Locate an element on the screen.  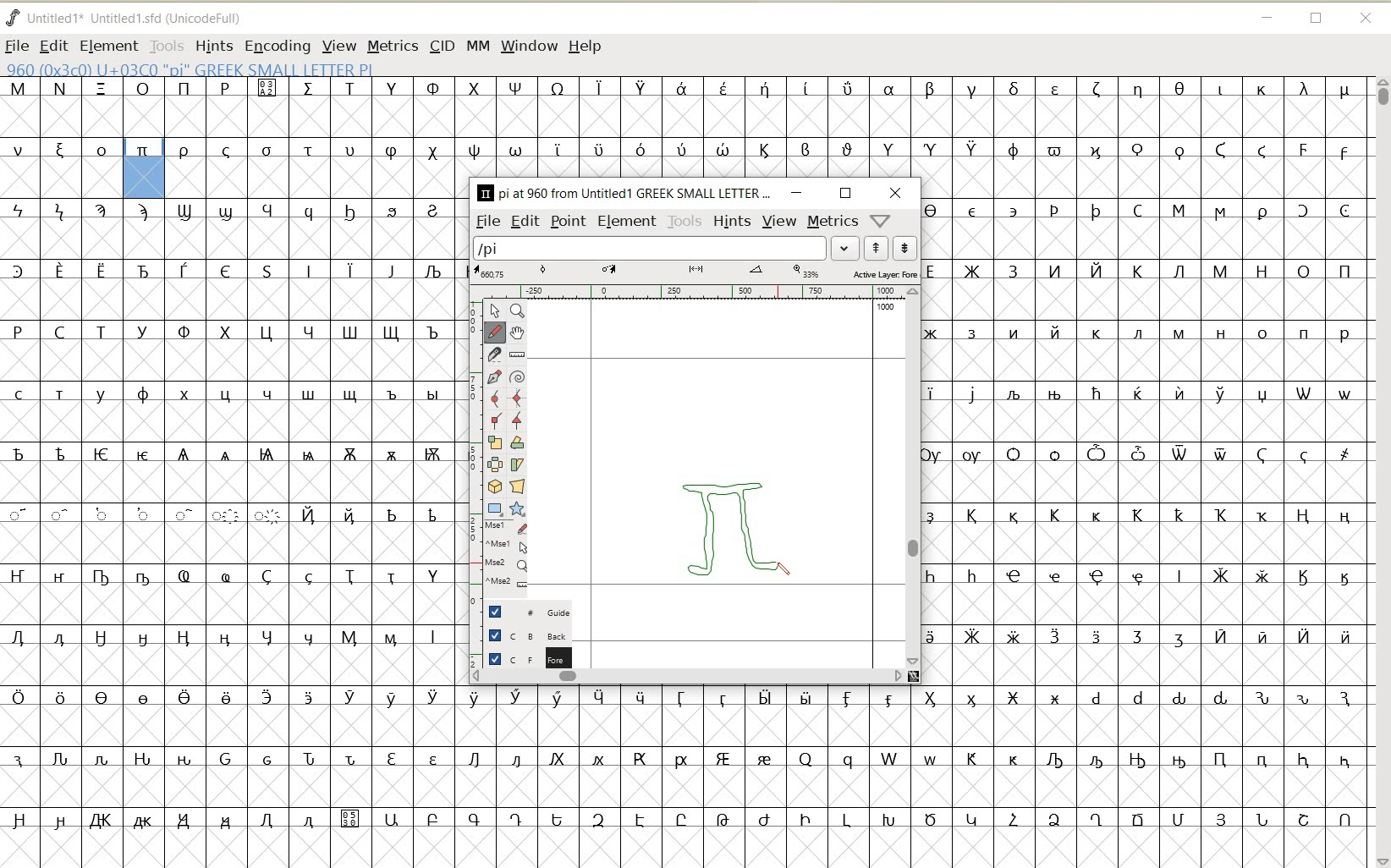
RULER is located at coordinates (694, 293).